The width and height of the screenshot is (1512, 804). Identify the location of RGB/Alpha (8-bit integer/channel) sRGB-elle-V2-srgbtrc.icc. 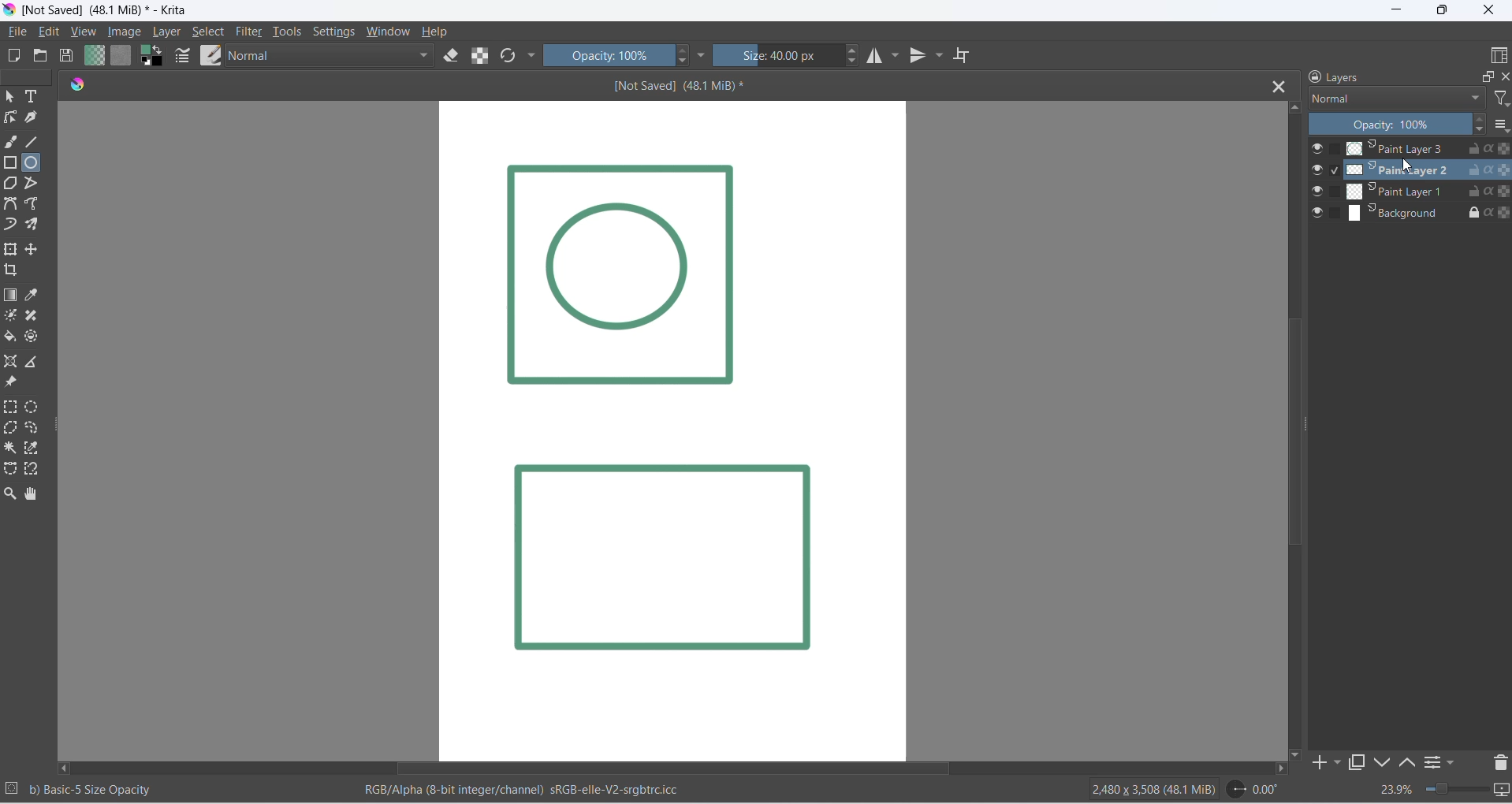
(539, 793).